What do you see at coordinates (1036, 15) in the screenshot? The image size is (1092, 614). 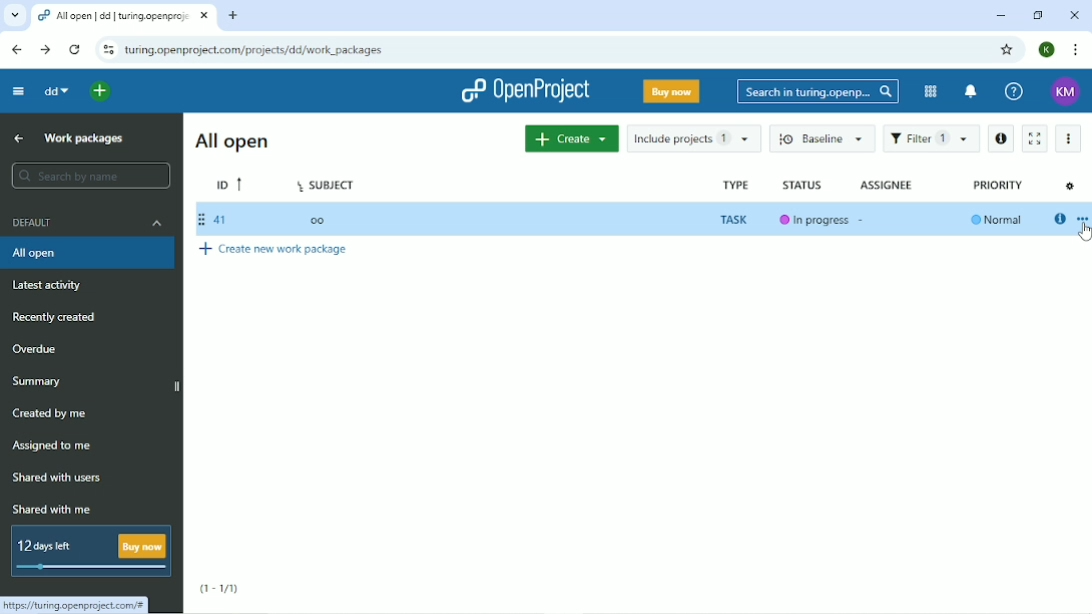 I see `Restore down` at bounding box center [1036, 15].